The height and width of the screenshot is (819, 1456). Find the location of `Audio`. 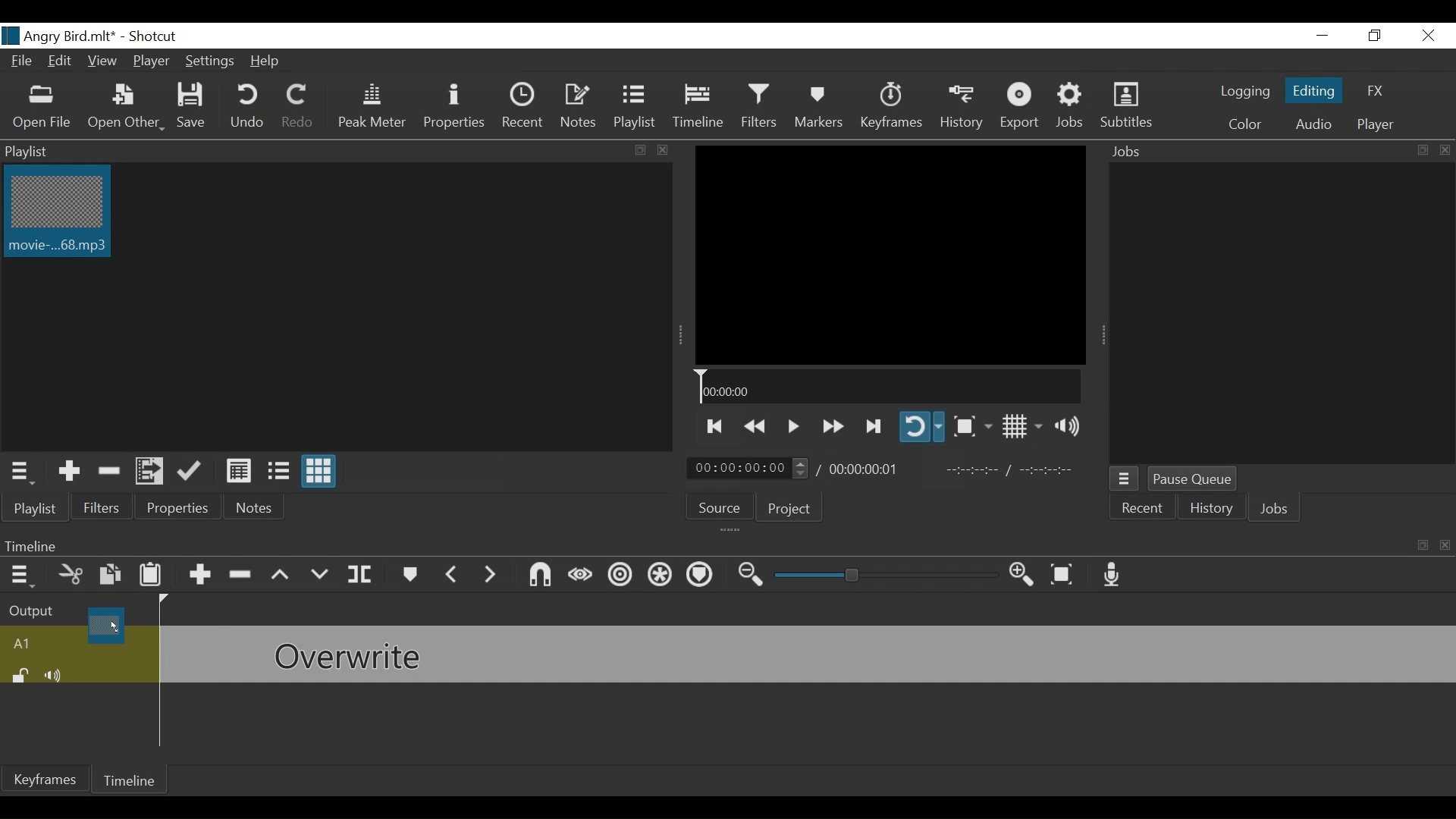

Audio is located at coordinates (1313, 124).